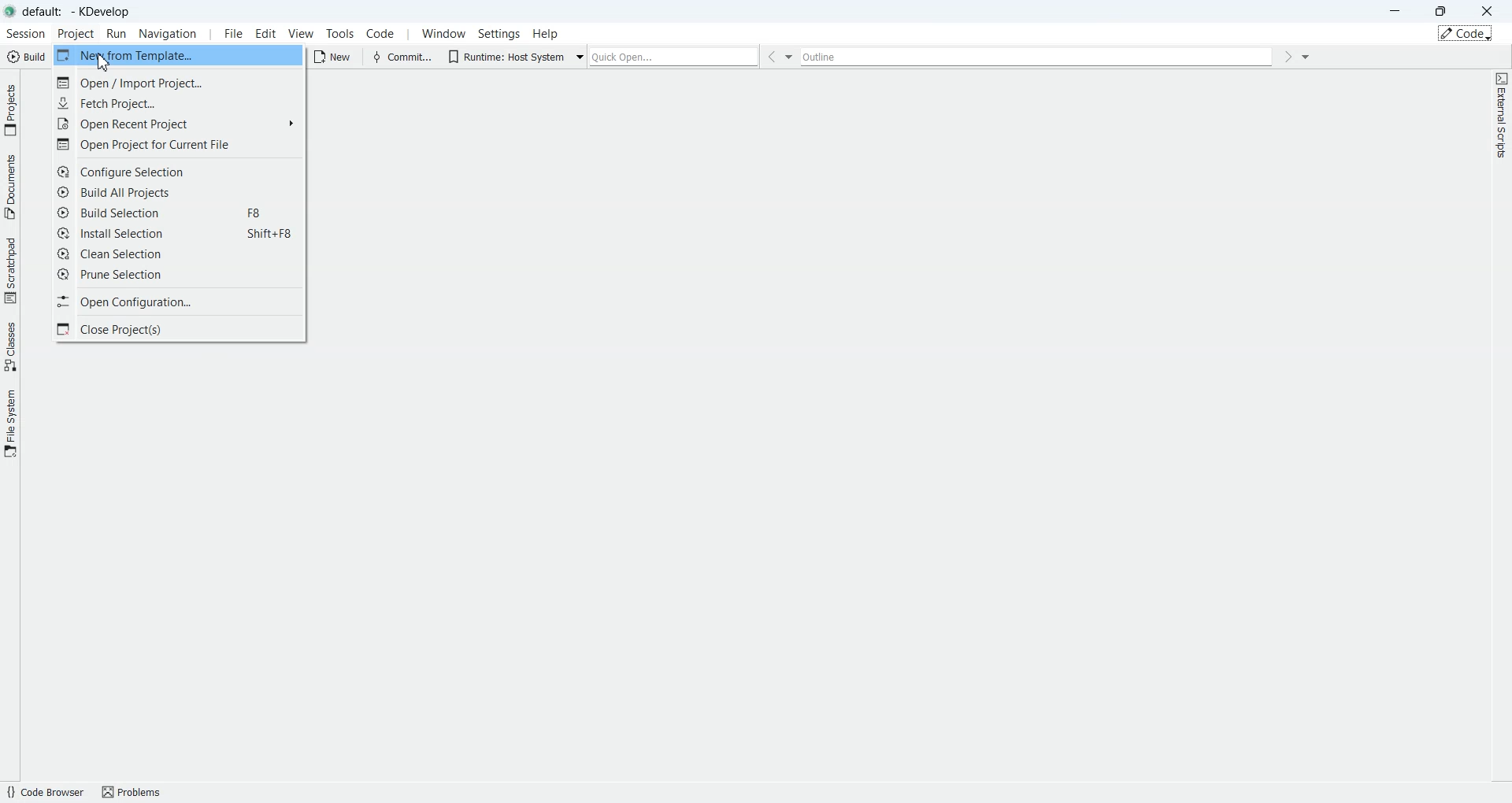 This screenshot has width=1512, height=803. Describe the element at coordinates (179, 213) in the screenshot. I see `Build Selection` at that location.